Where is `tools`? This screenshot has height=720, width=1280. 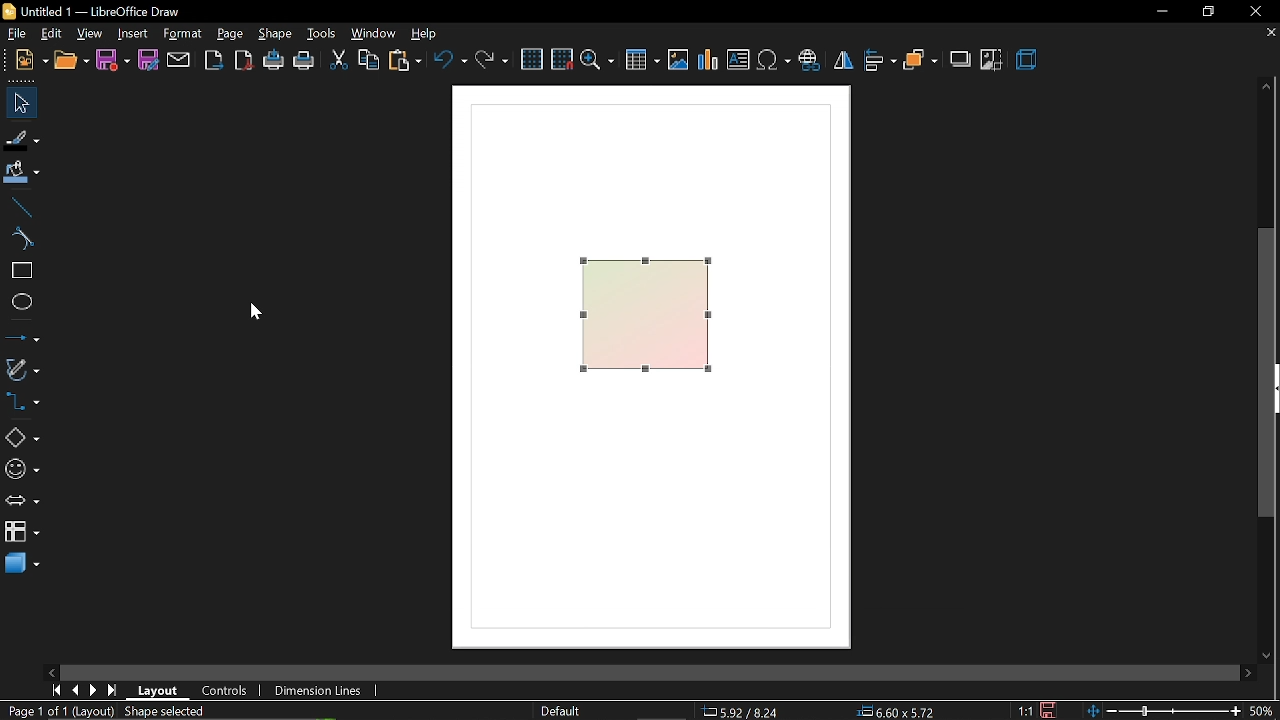
tools is located at coordinates (323, 35).